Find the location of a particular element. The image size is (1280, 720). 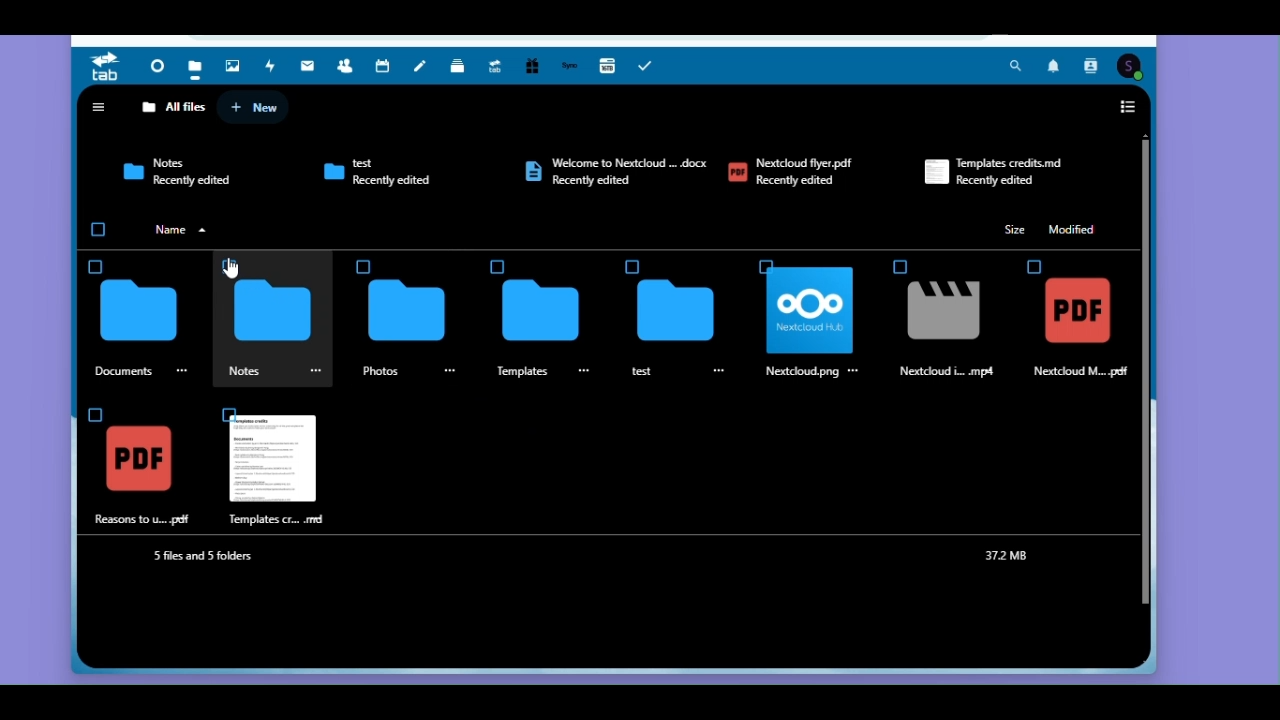

Icon is located at coordinates (1028, 264).